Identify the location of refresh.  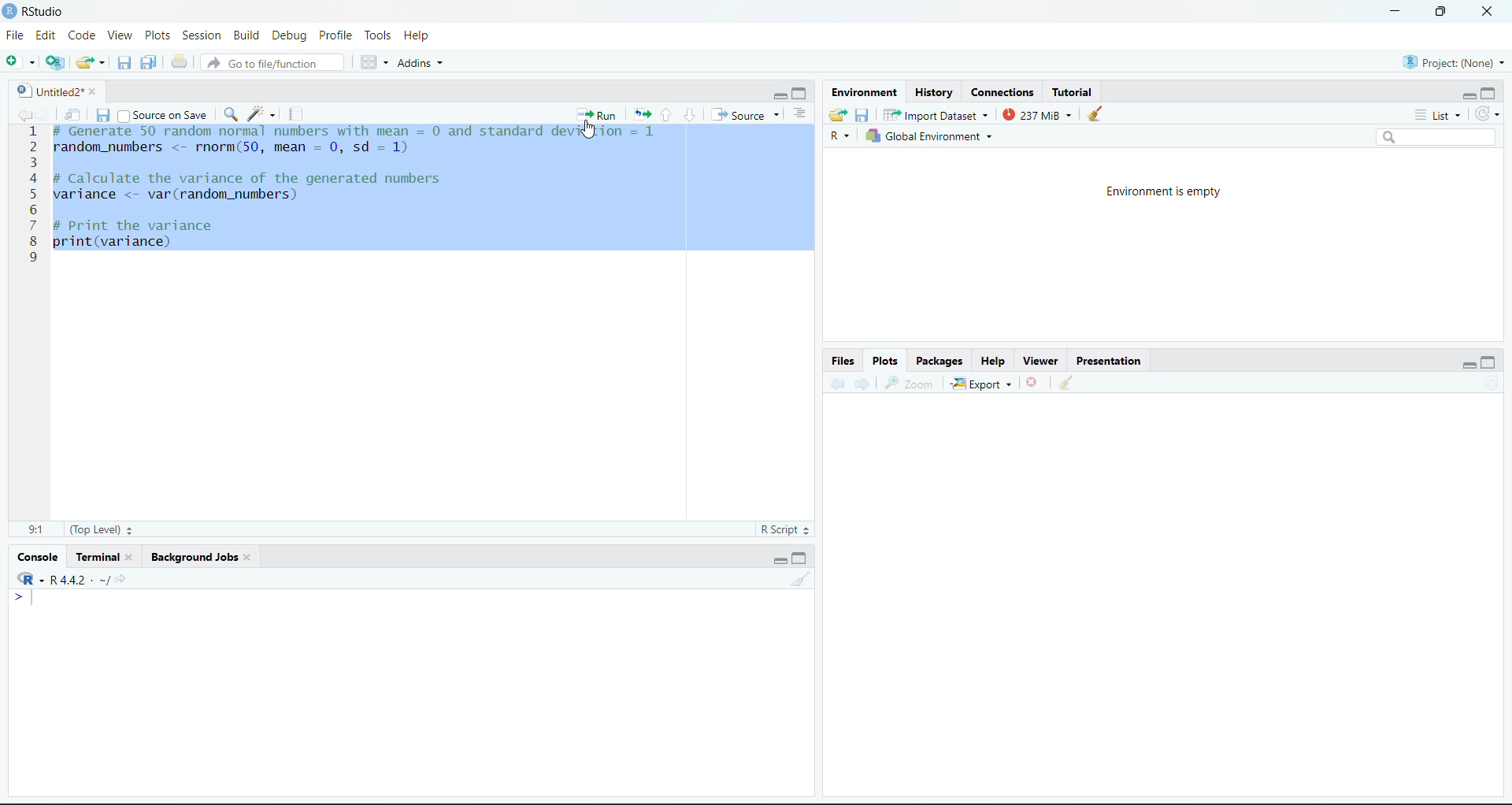
(1493, 382).